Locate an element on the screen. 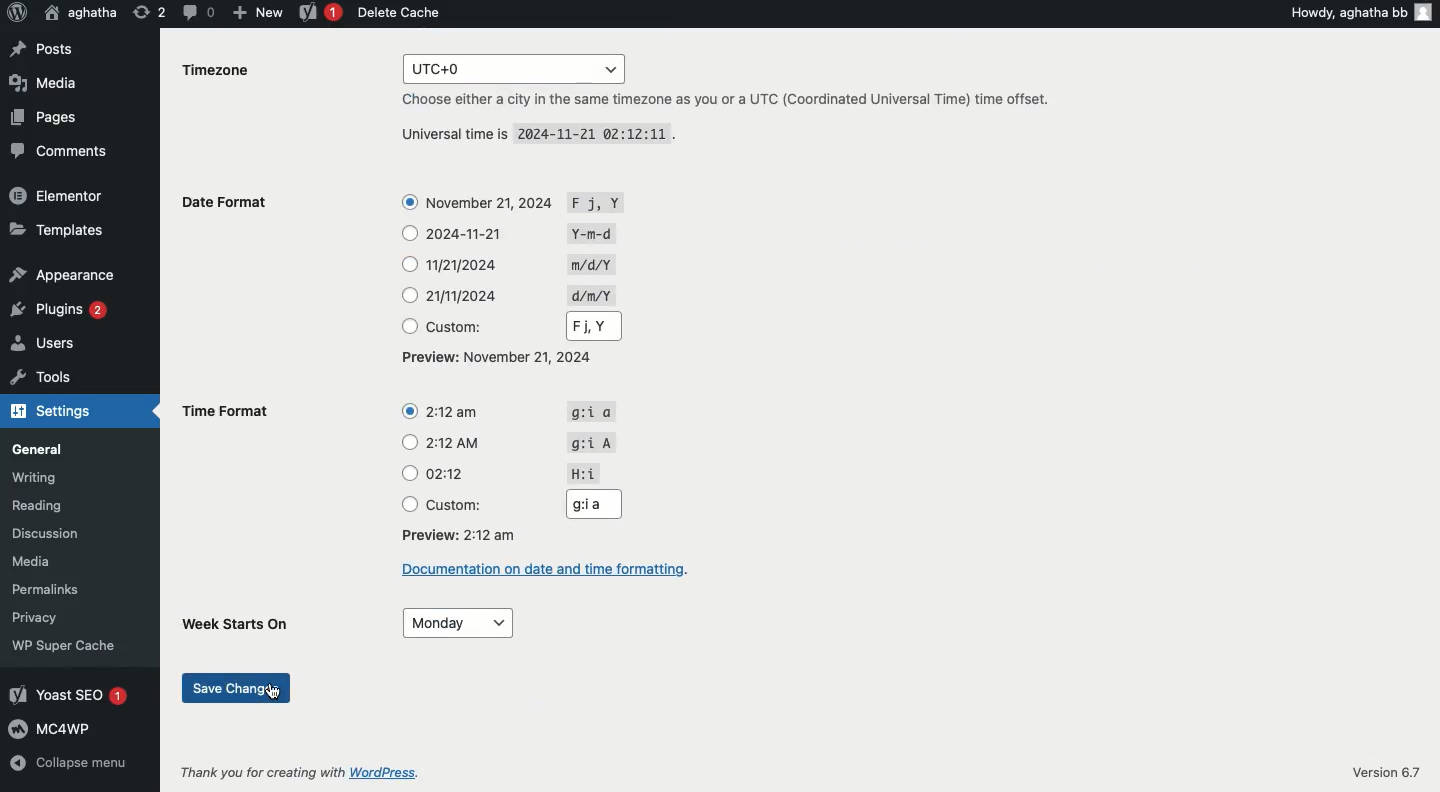  Comments is located at coordinates (54, 149).